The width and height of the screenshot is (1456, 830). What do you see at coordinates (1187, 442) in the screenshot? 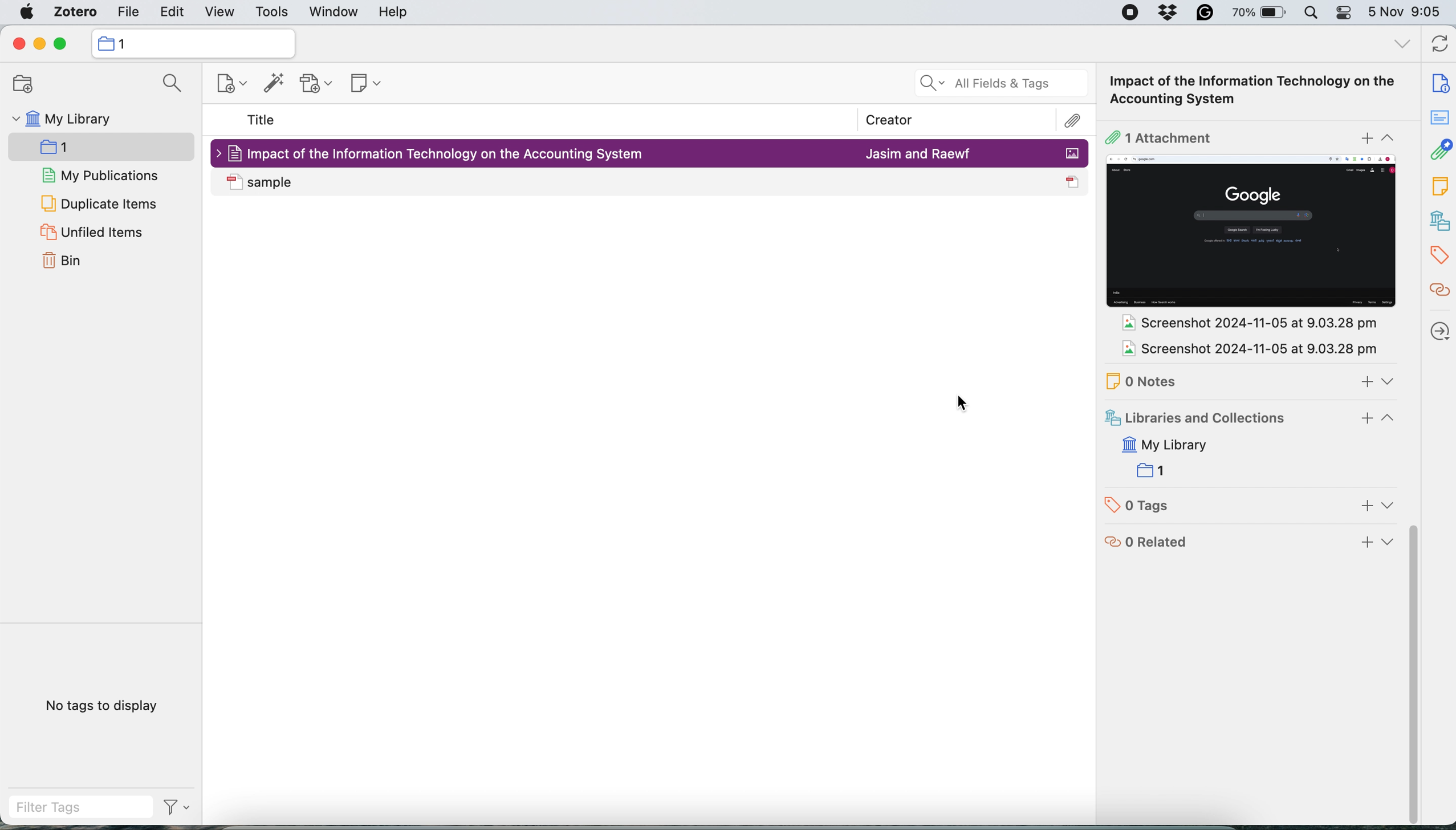
I see `my library` at bounding box center [1187, 442].